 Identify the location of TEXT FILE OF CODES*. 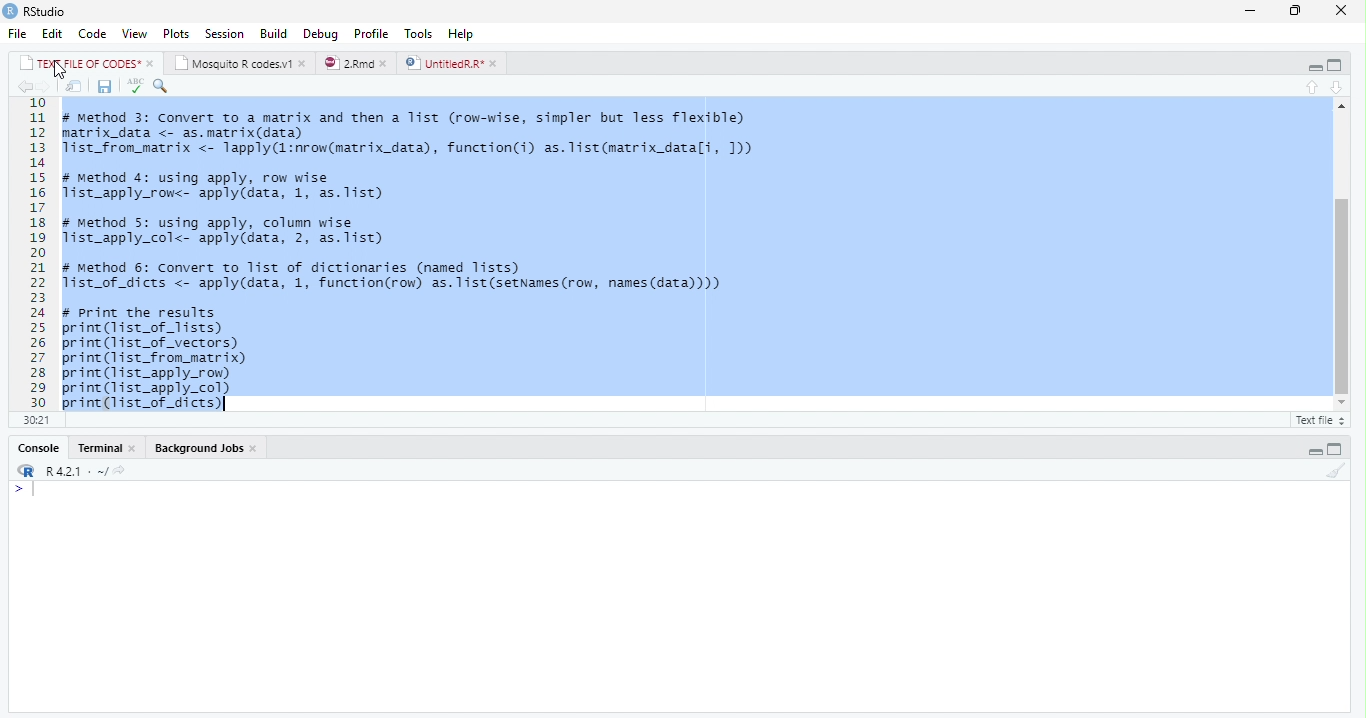
(86, 62).